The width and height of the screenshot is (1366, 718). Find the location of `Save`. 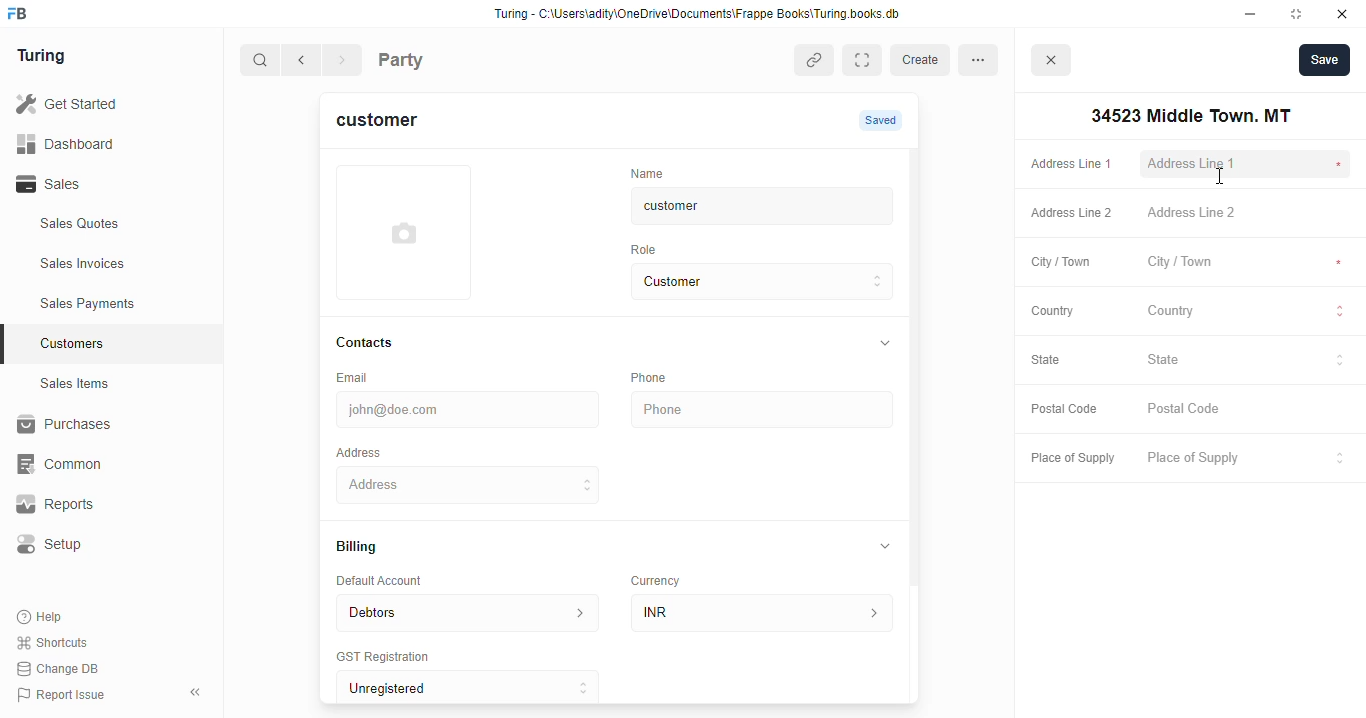

Save is located at coordinates (1324, 59).